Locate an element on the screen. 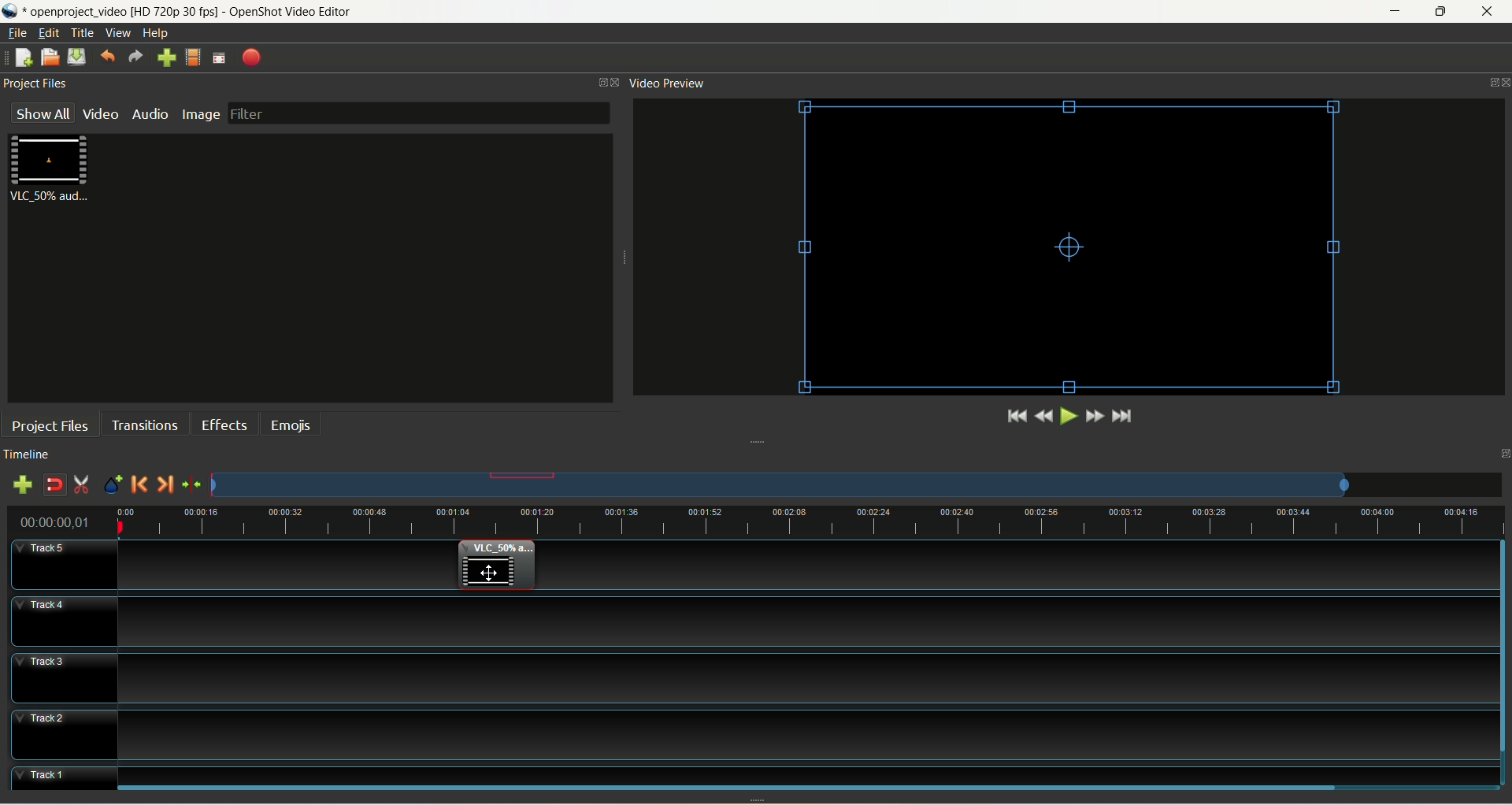 The image size is (1512, 805). time is located at coordinates (62, 520).